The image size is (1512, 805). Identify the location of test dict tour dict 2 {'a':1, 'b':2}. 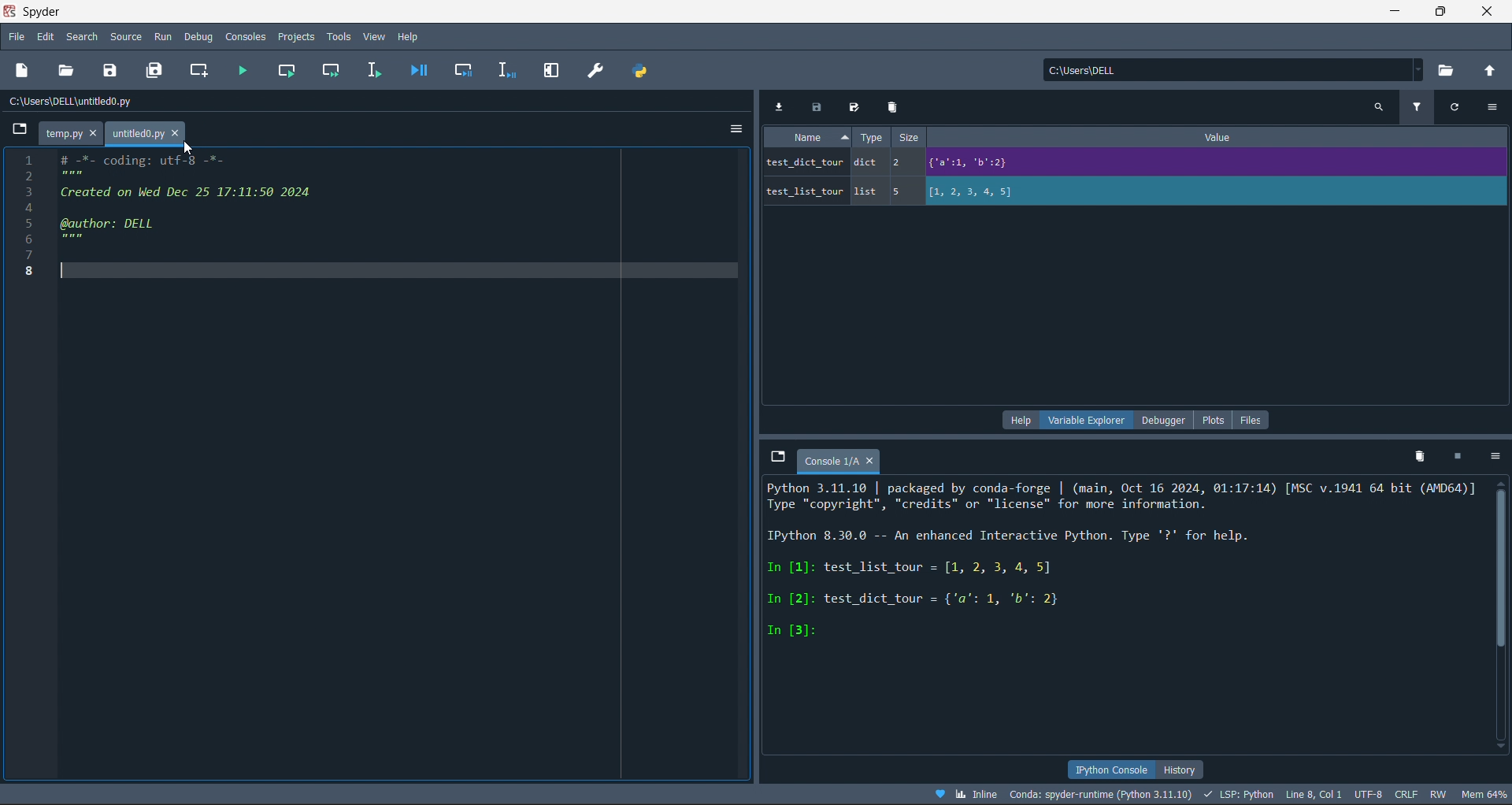
(990, 163).